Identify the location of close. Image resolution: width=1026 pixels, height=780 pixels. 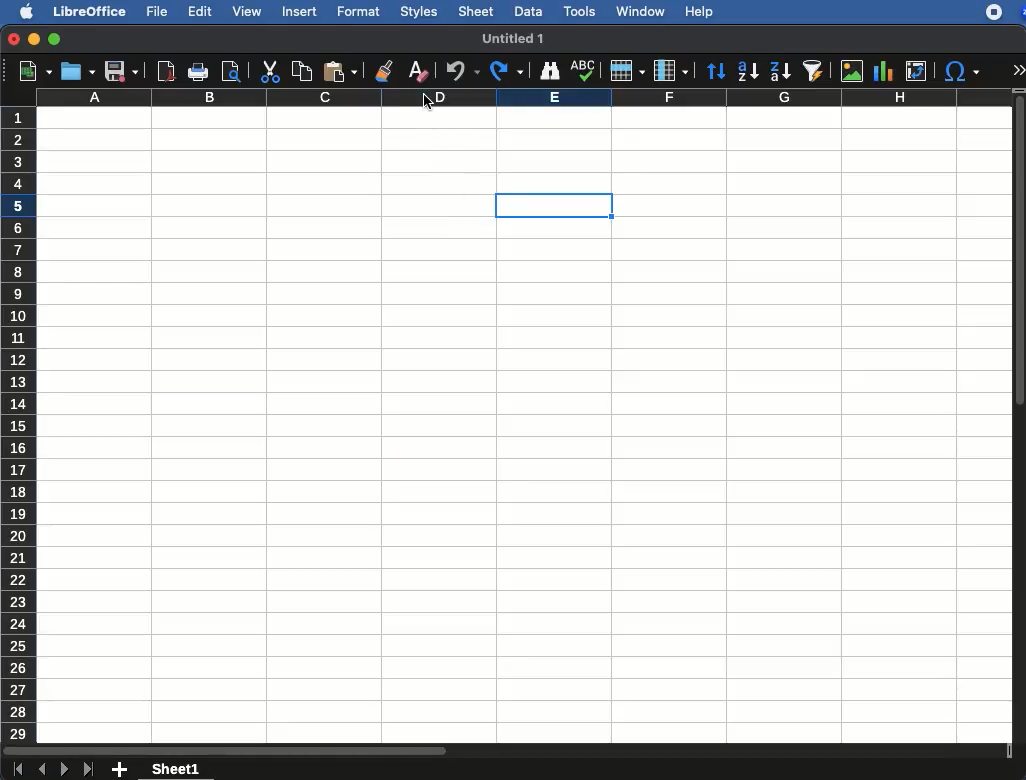
(13, 39).